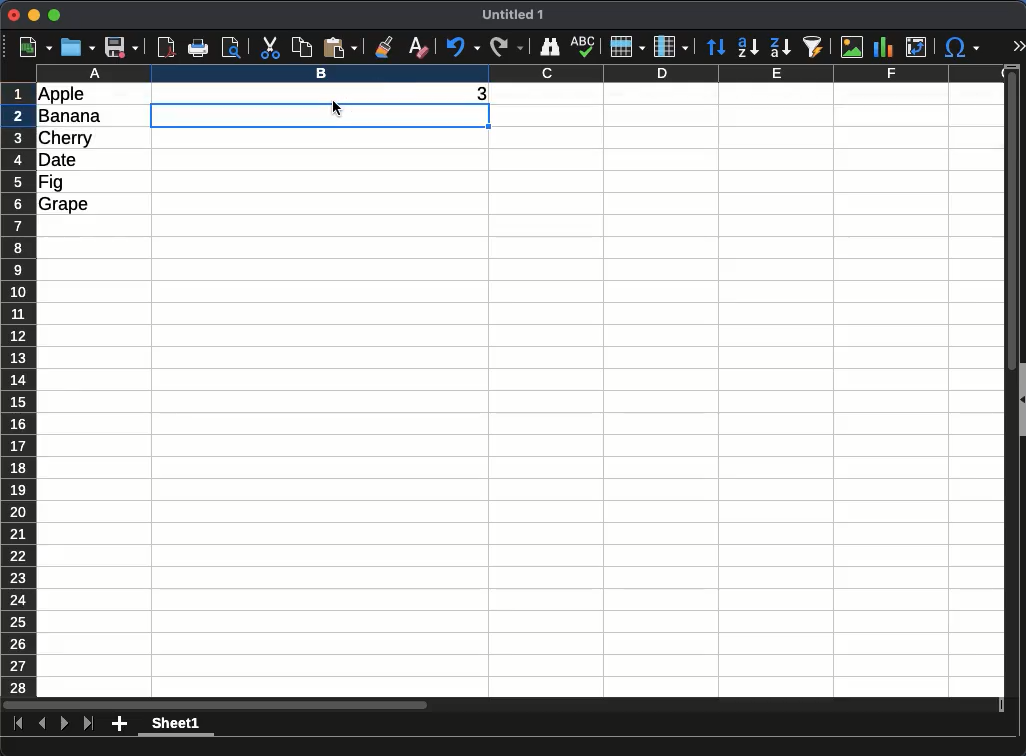 This screenshot has height=756, width=1026. I want to click on maximize, so click(54, 15).